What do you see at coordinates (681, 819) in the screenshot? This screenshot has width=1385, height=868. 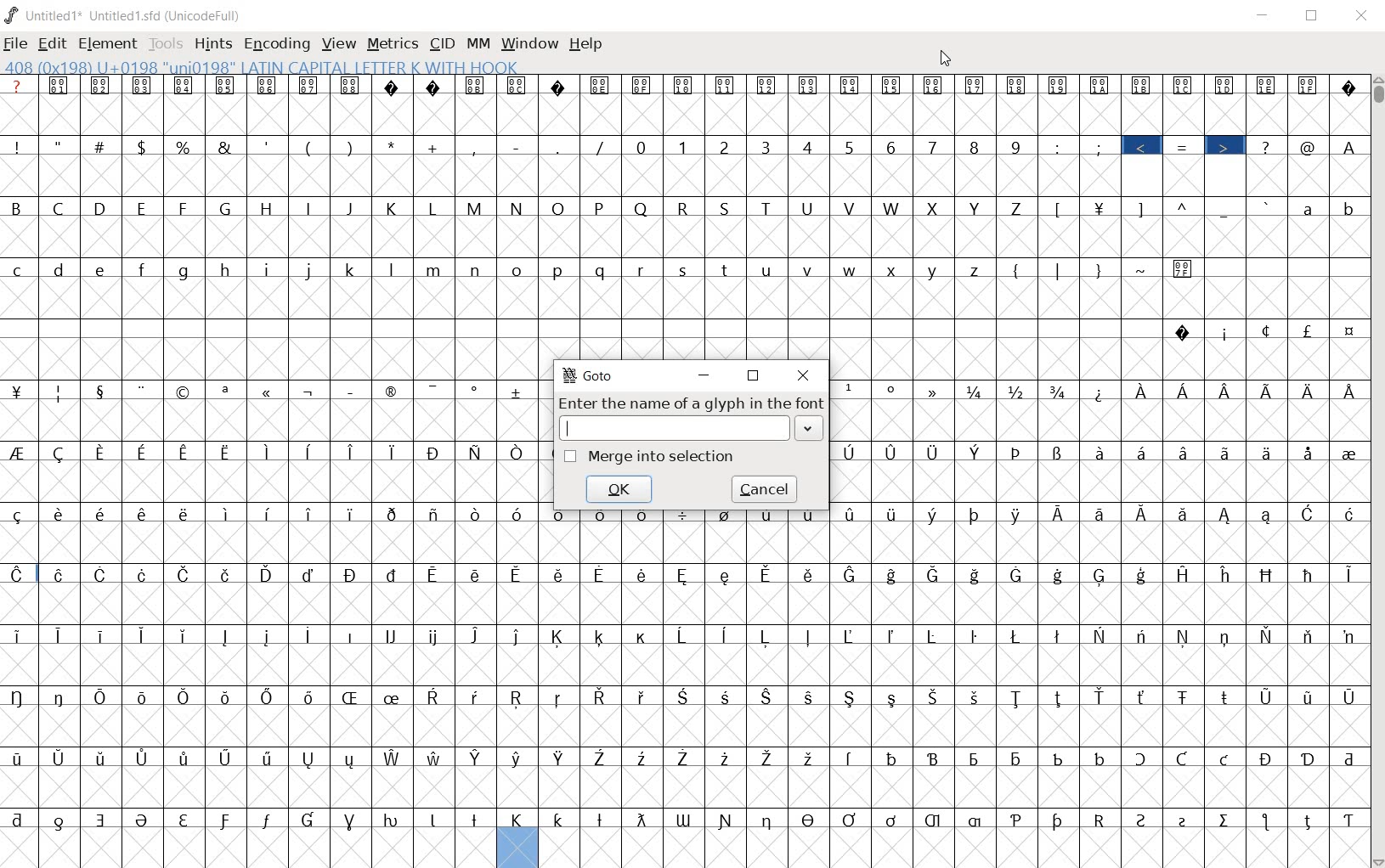 I see `special letters` at bounding box center [681, 819].